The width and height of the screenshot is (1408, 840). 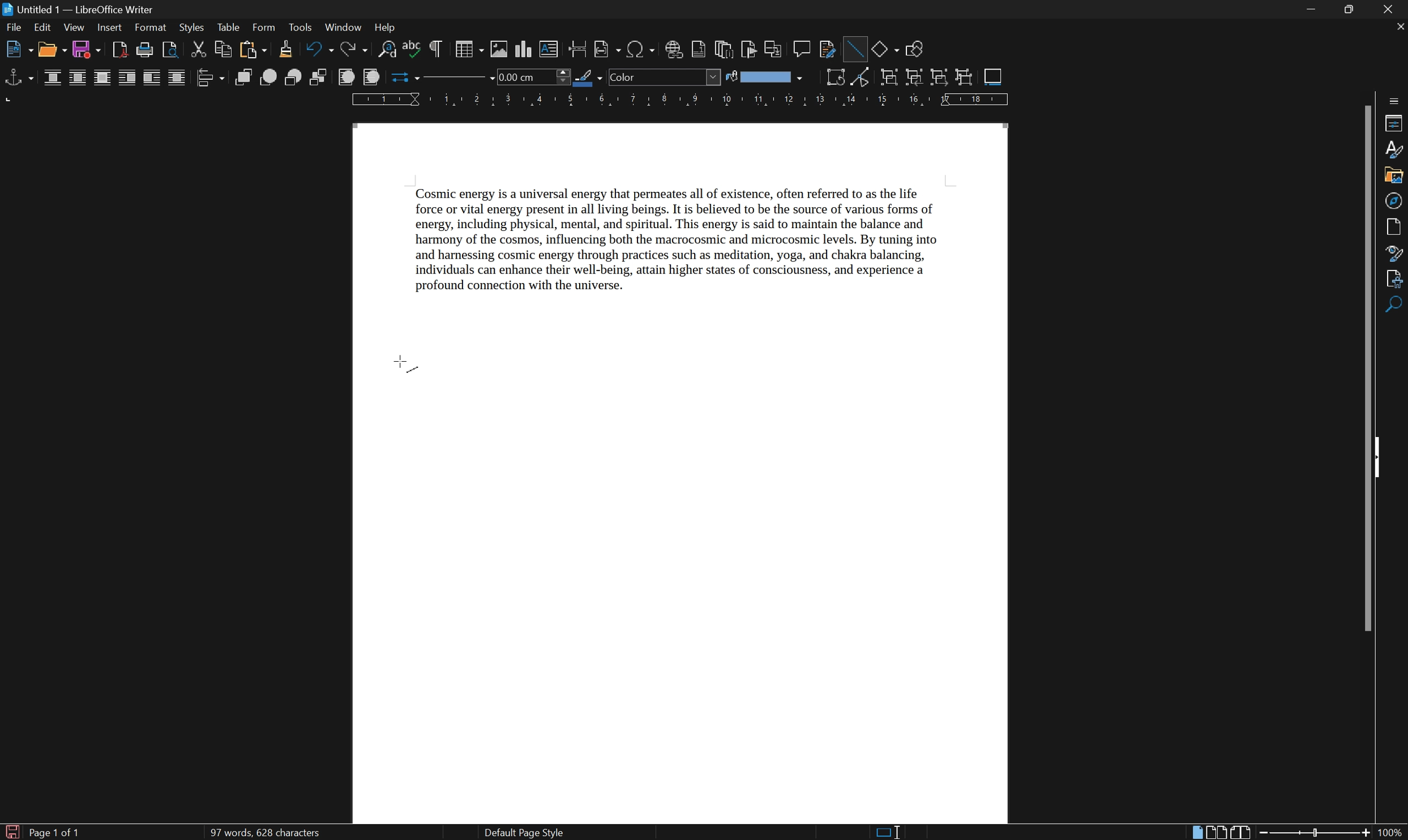 What do you see at coordinates (532, 76) in the screenshot?
I see `line thickness` at bounding box center [532, 76].